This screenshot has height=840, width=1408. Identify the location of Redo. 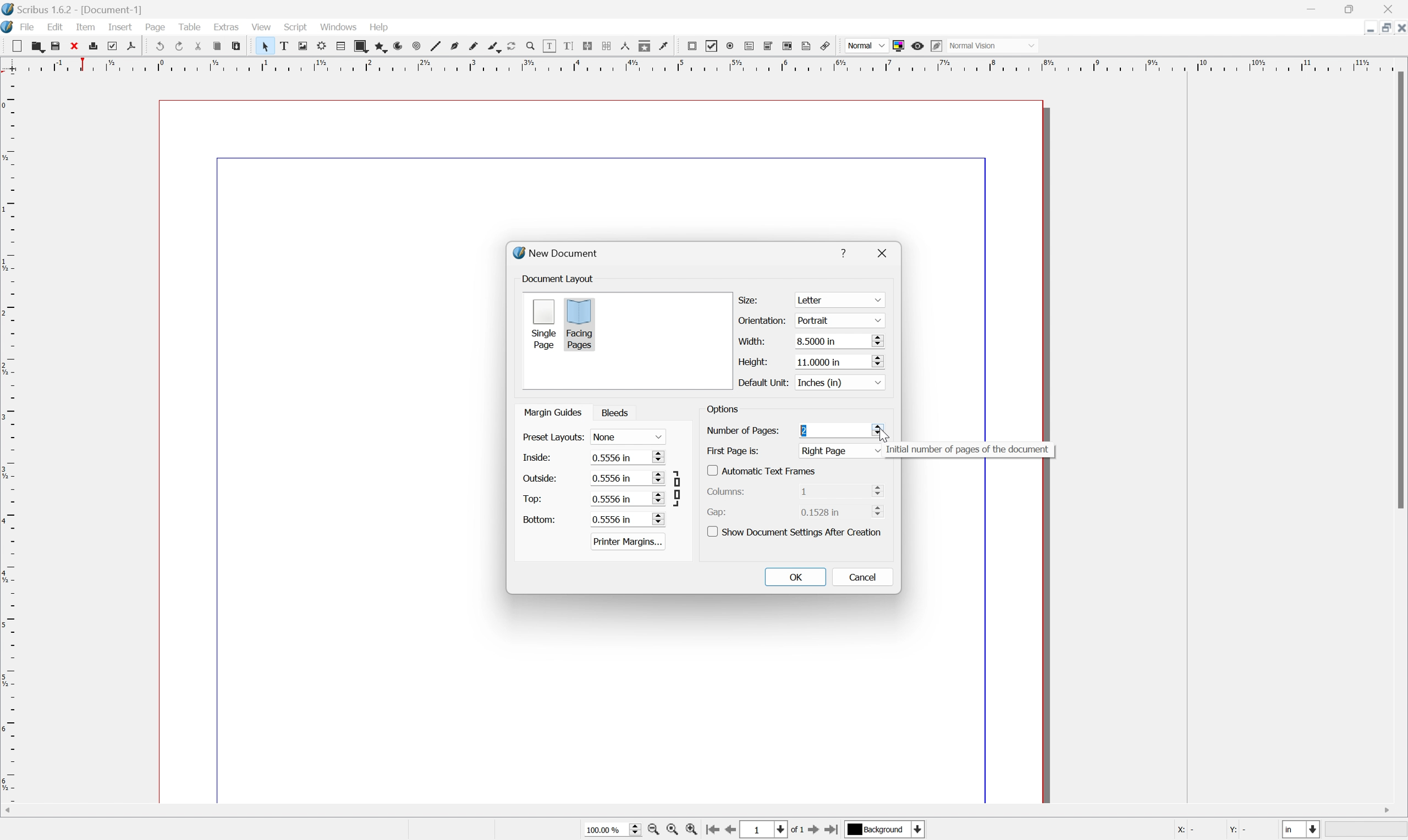
(179, 46).